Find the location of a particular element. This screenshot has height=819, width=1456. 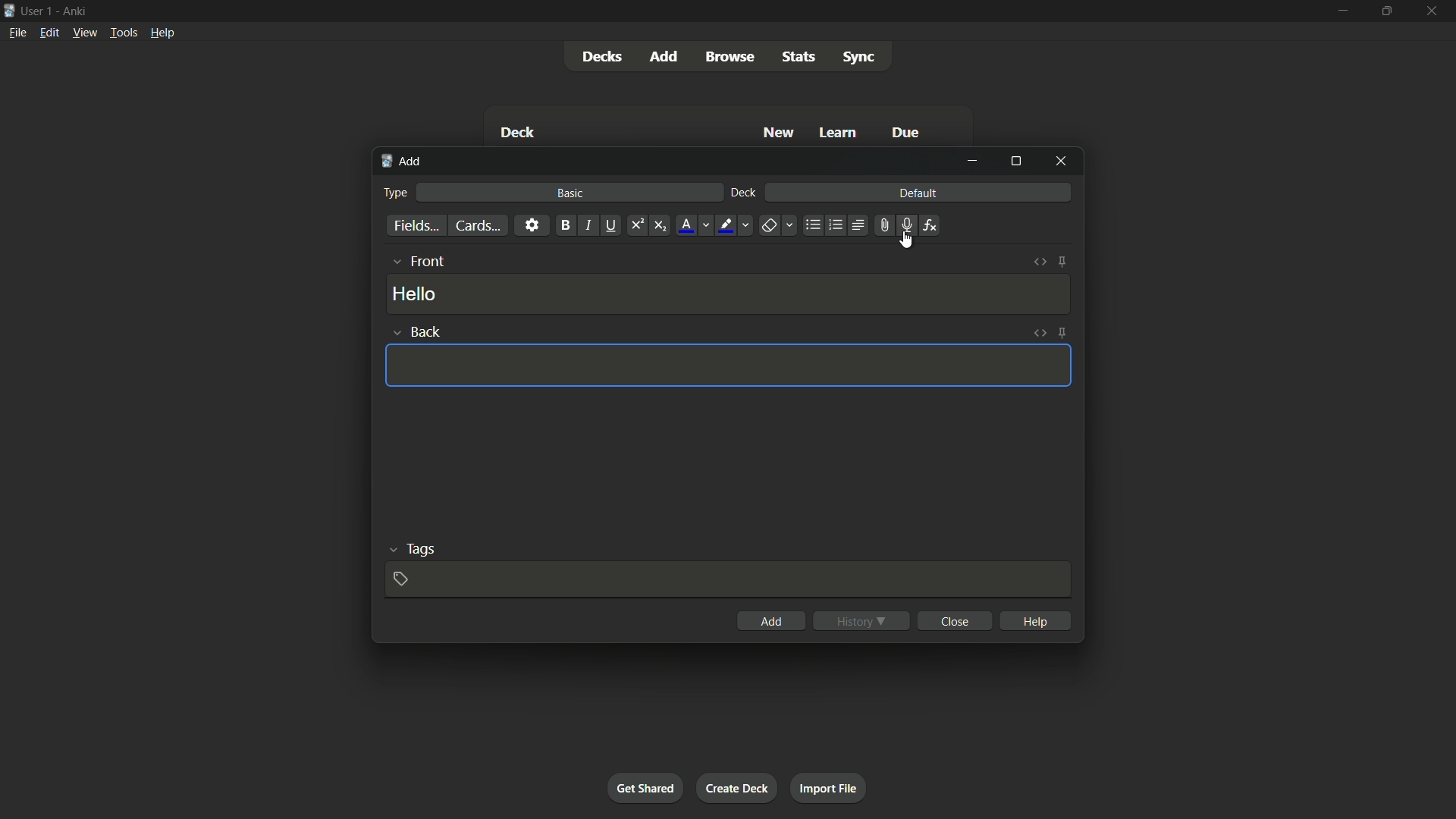

equation is located at coordinates (930, 224).